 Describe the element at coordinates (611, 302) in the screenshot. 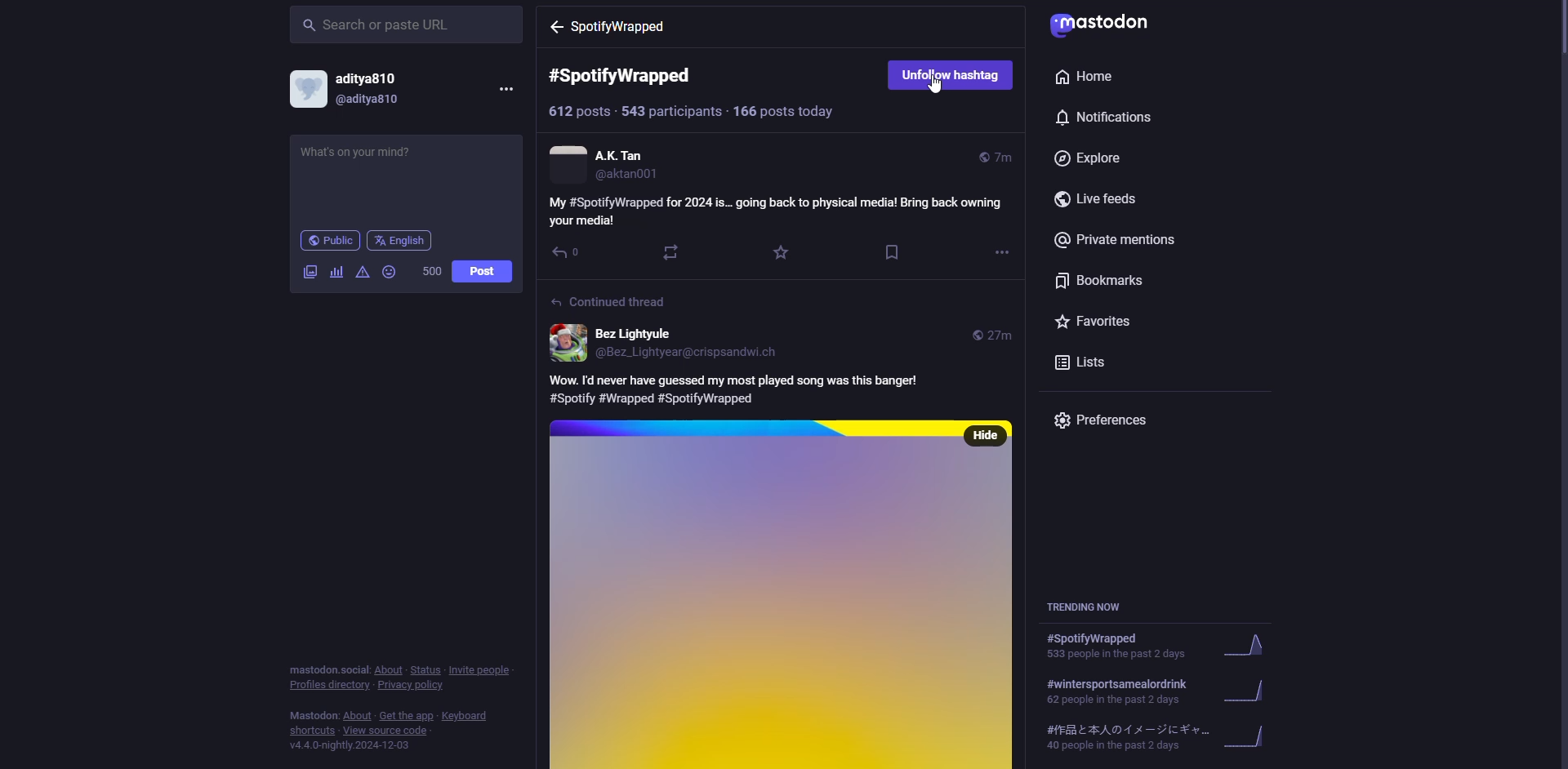

I see `continued` at that location.